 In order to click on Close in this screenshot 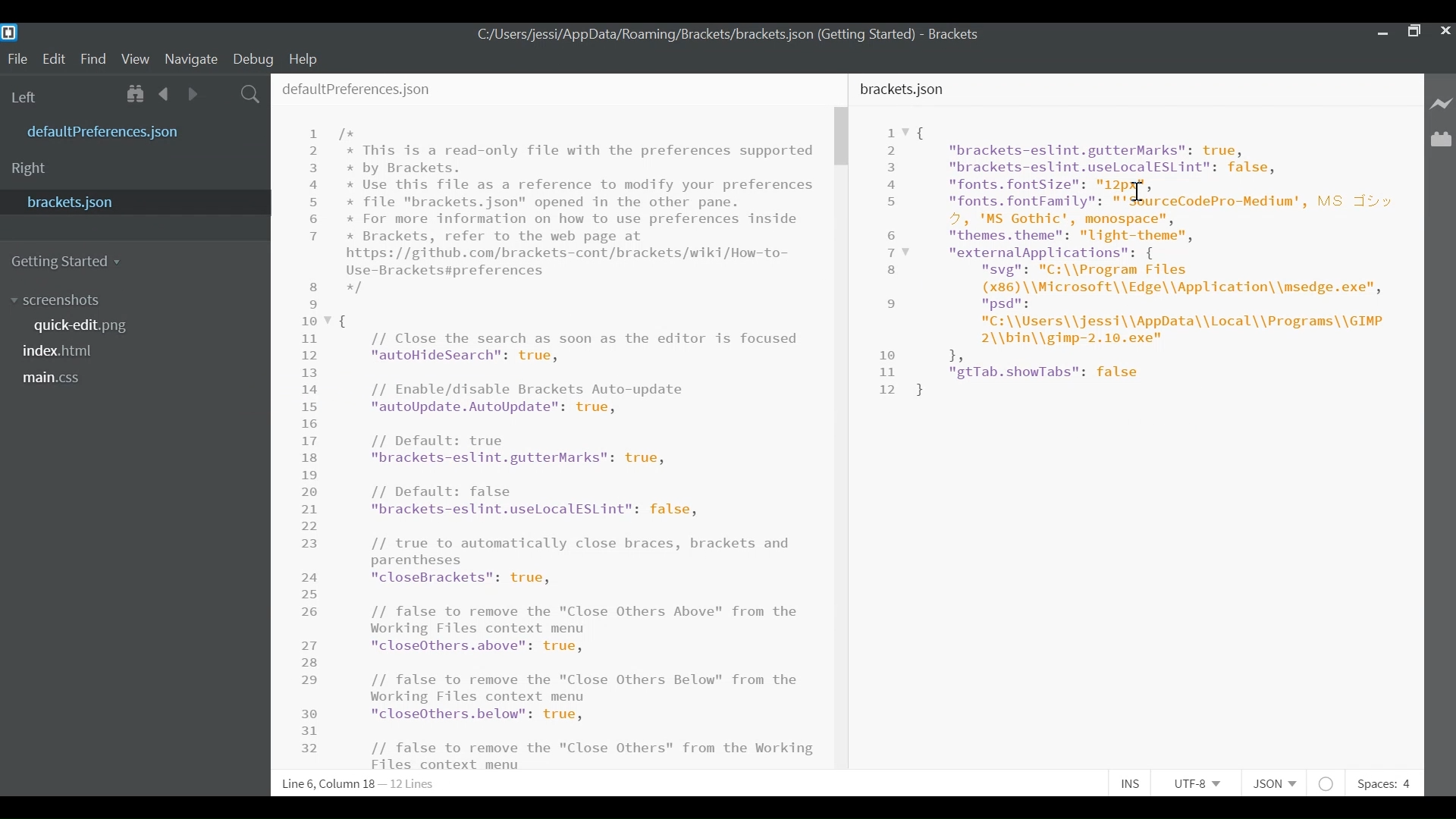, I will do `click(1445, 33)`.